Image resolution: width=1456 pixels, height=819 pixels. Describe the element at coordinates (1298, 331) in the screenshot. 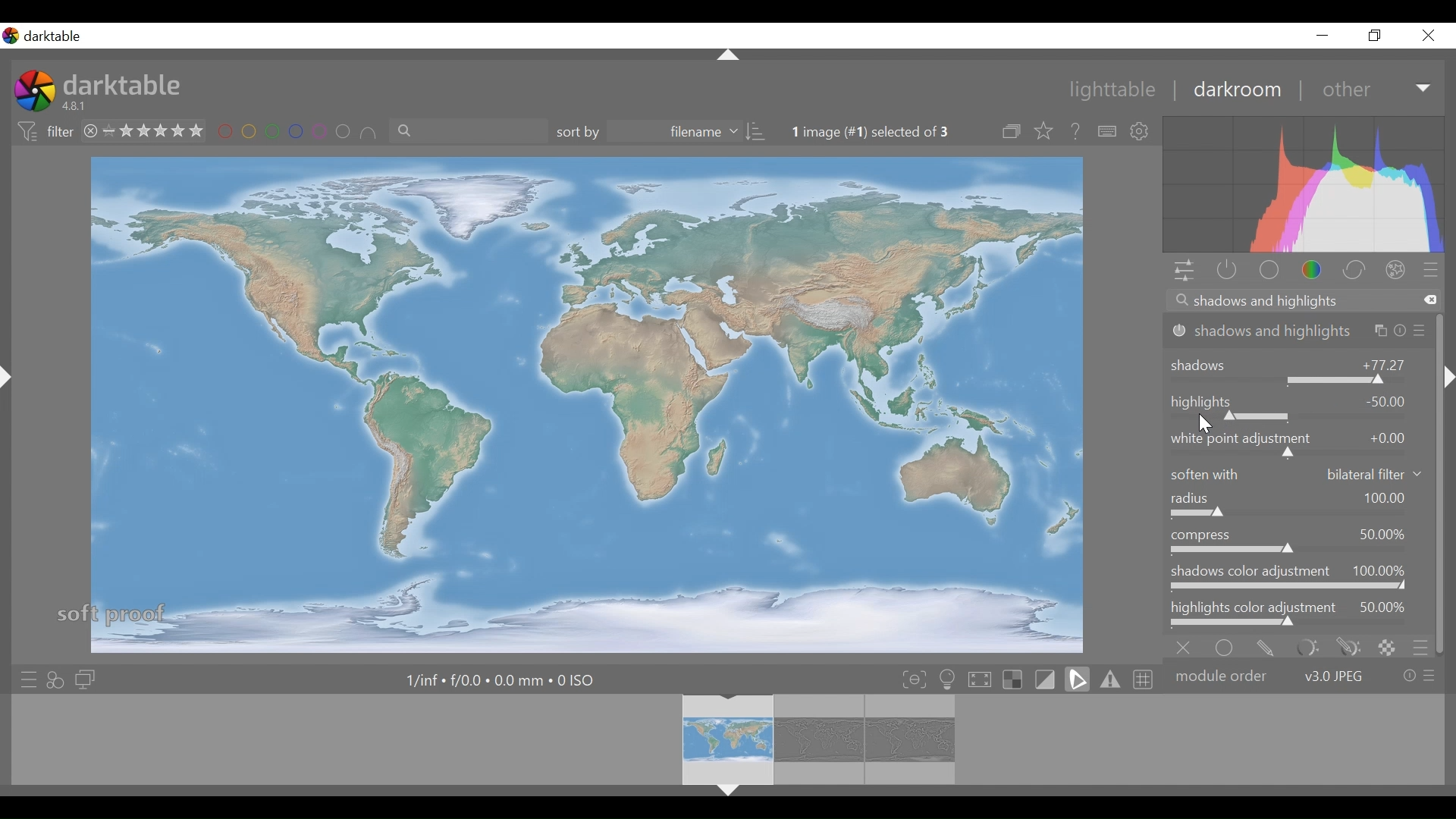

I see `shadows and highlights` at that location.